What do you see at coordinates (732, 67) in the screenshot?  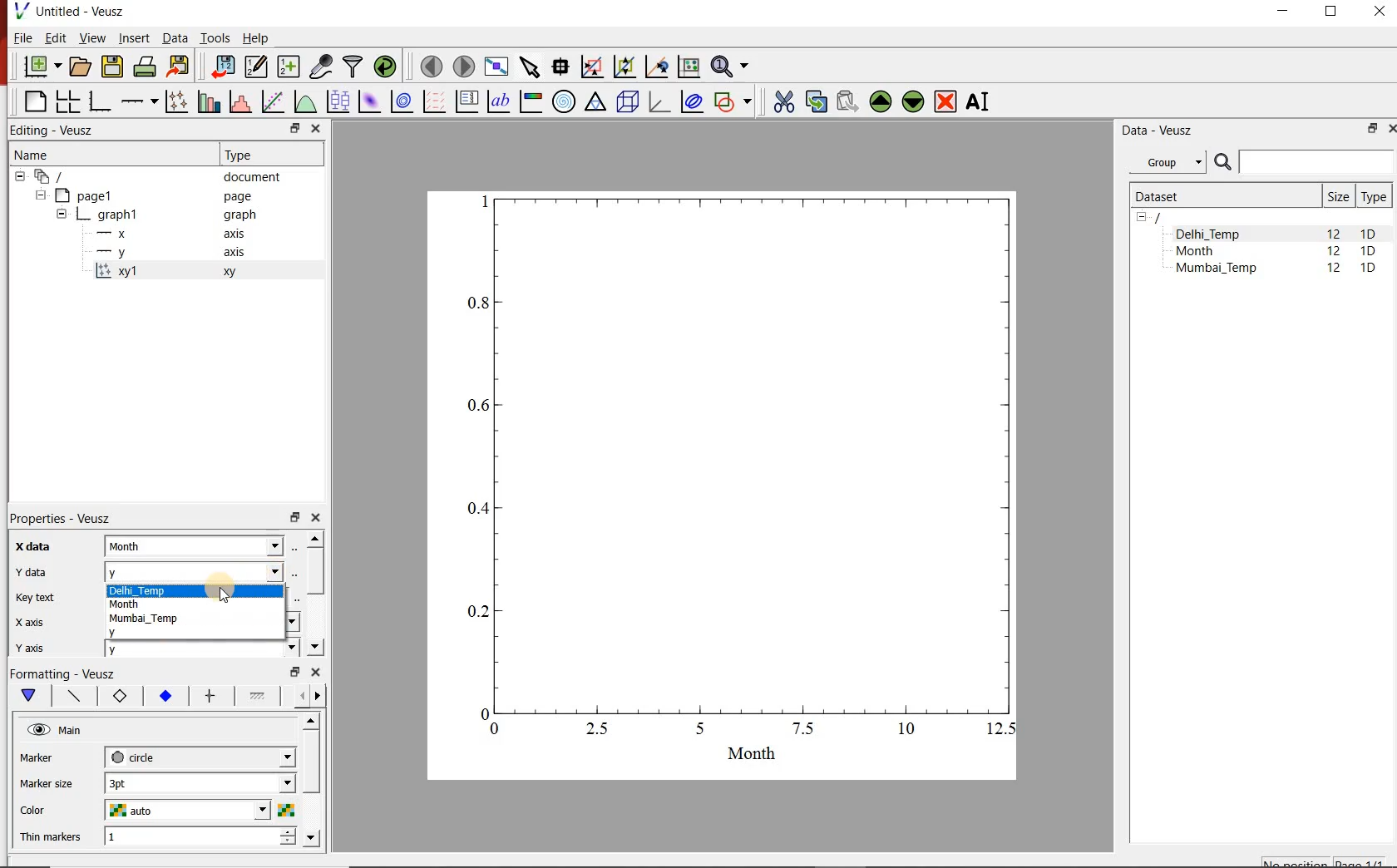 I see `zoom functions menu` at bounding box center [732, 67].